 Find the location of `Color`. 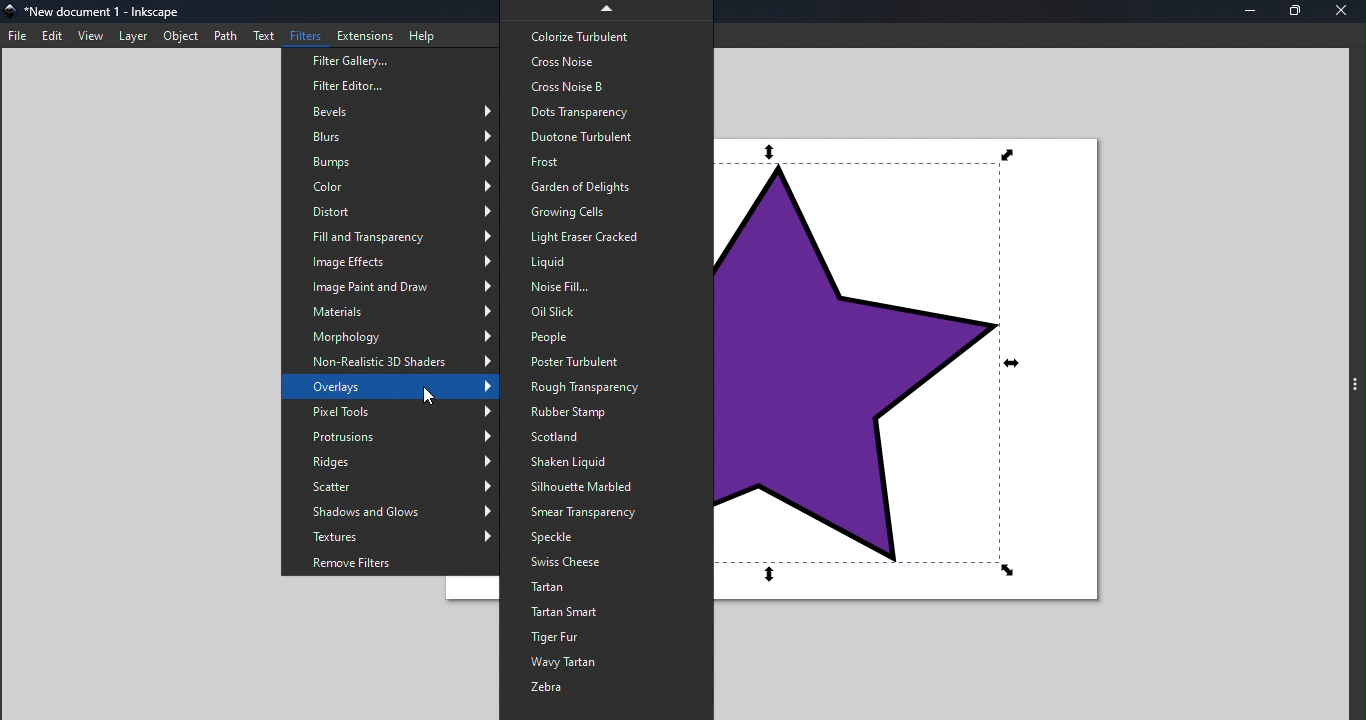

Color is located at coordinates (389, 186).